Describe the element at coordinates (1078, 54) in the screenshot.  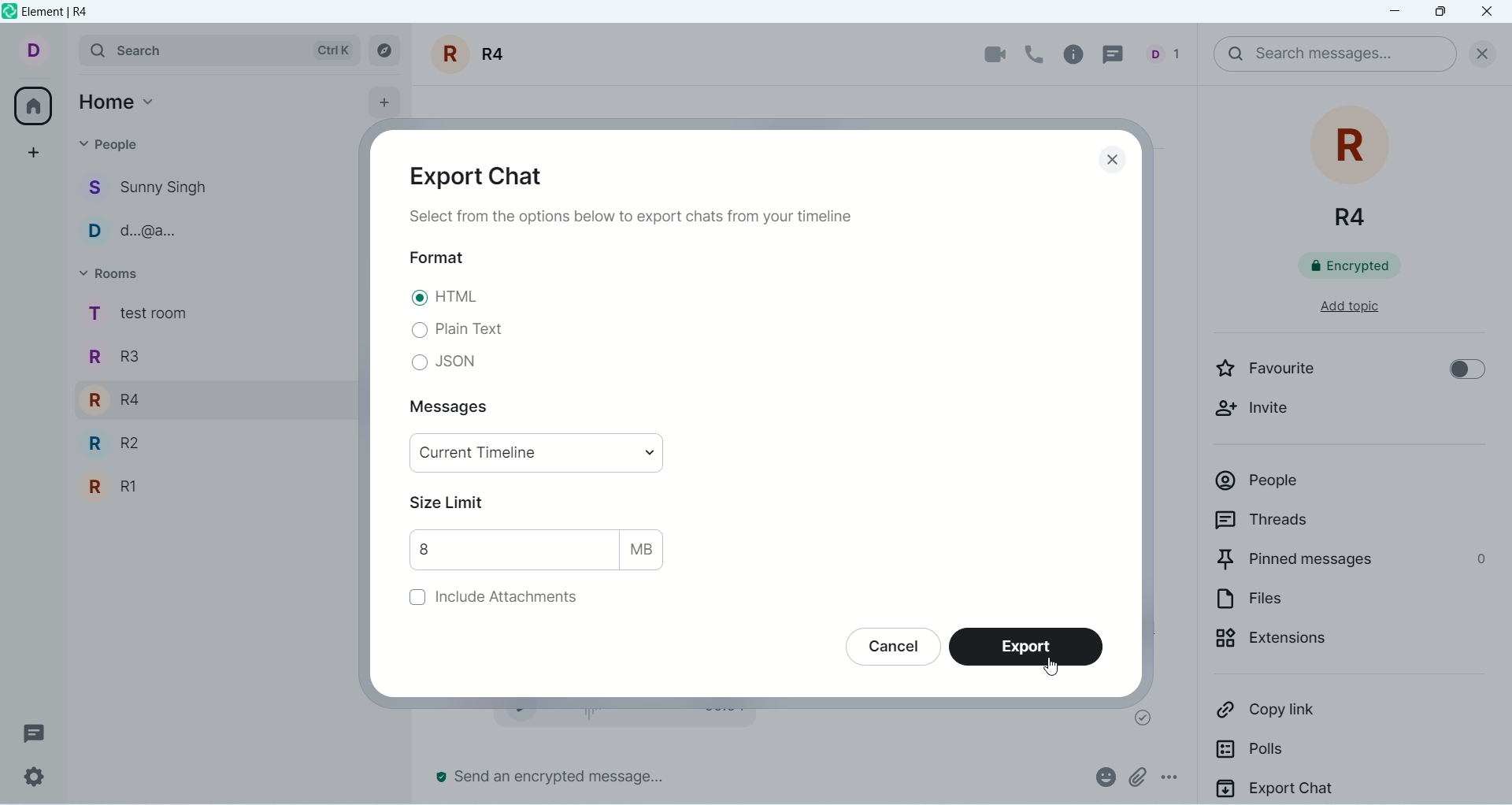
I see `room info` at that location.